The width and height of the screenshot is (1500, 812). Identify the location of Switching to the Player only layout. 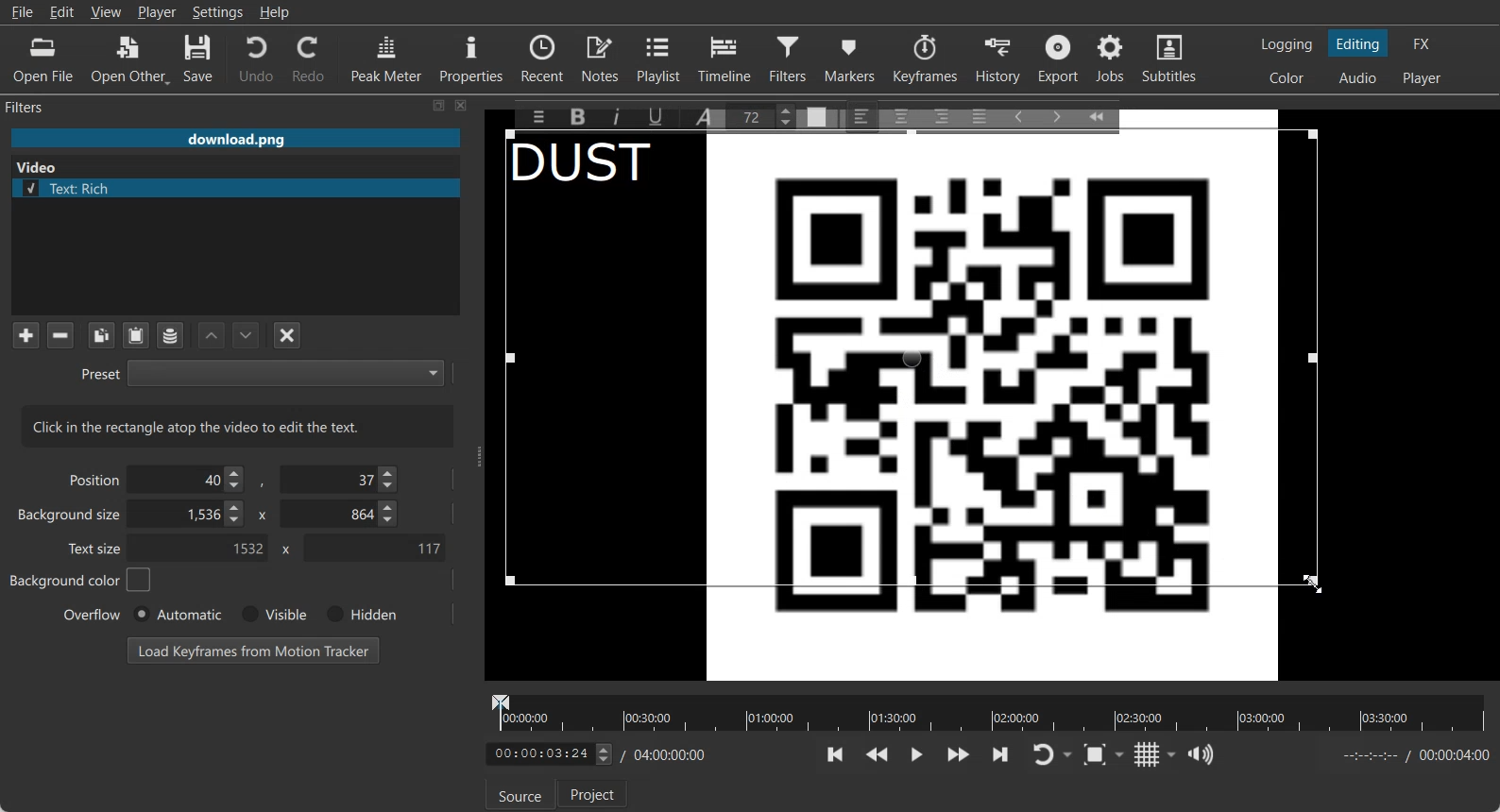
(1423, 78).